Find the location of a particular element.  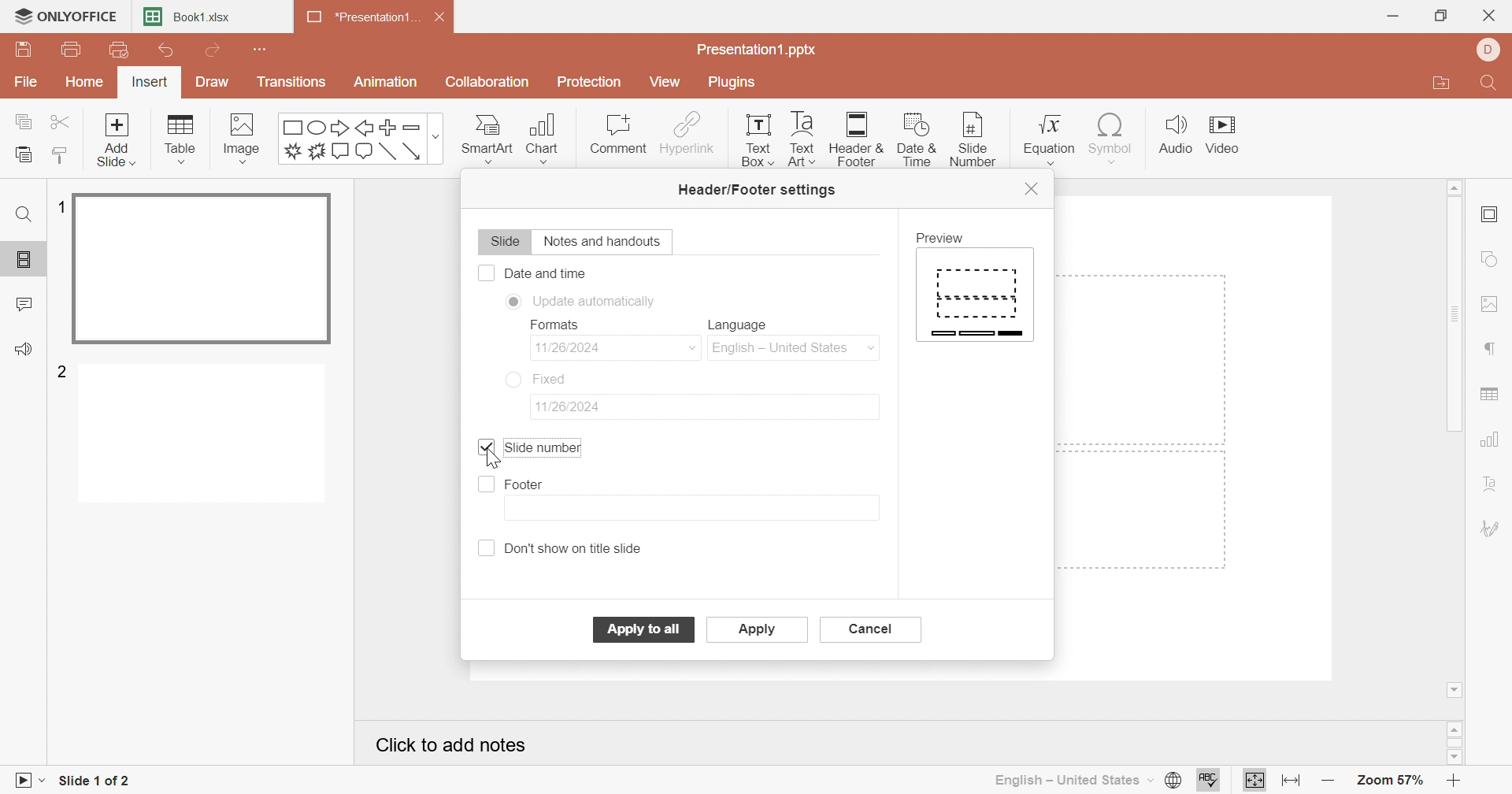

English - United States is located at coordinates (796, 349).